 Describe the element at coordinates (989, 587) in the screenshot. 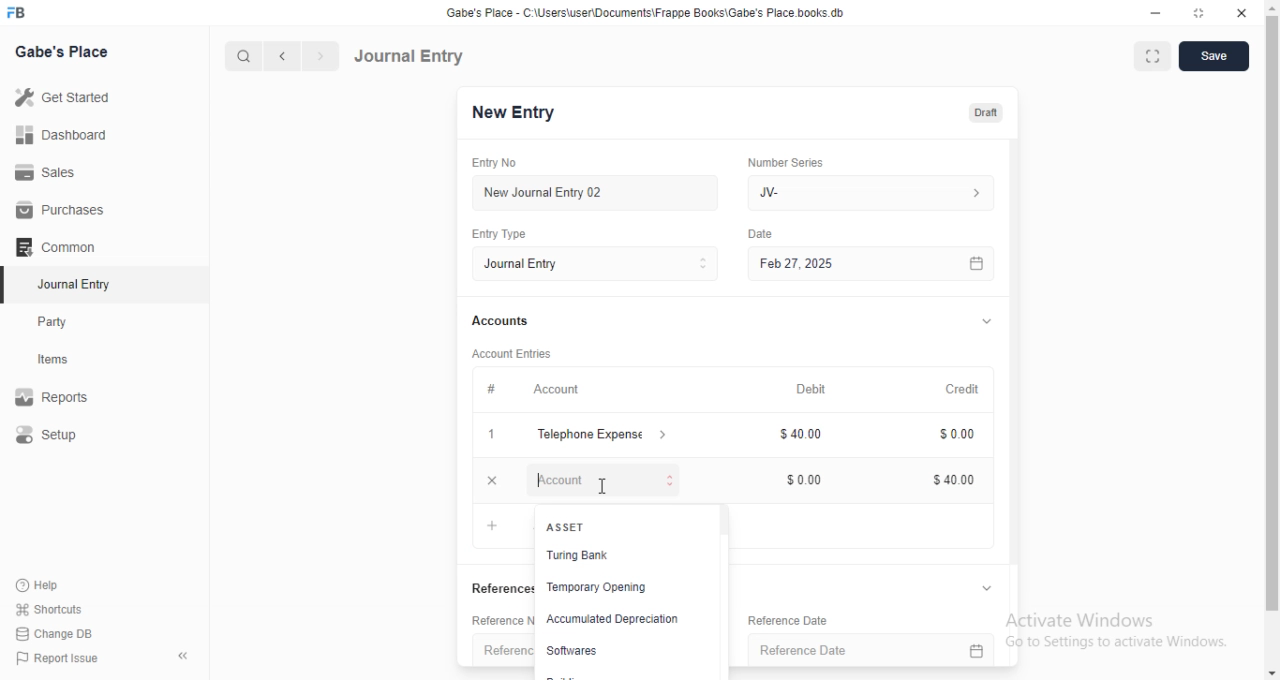

I see `Hide` at that location.